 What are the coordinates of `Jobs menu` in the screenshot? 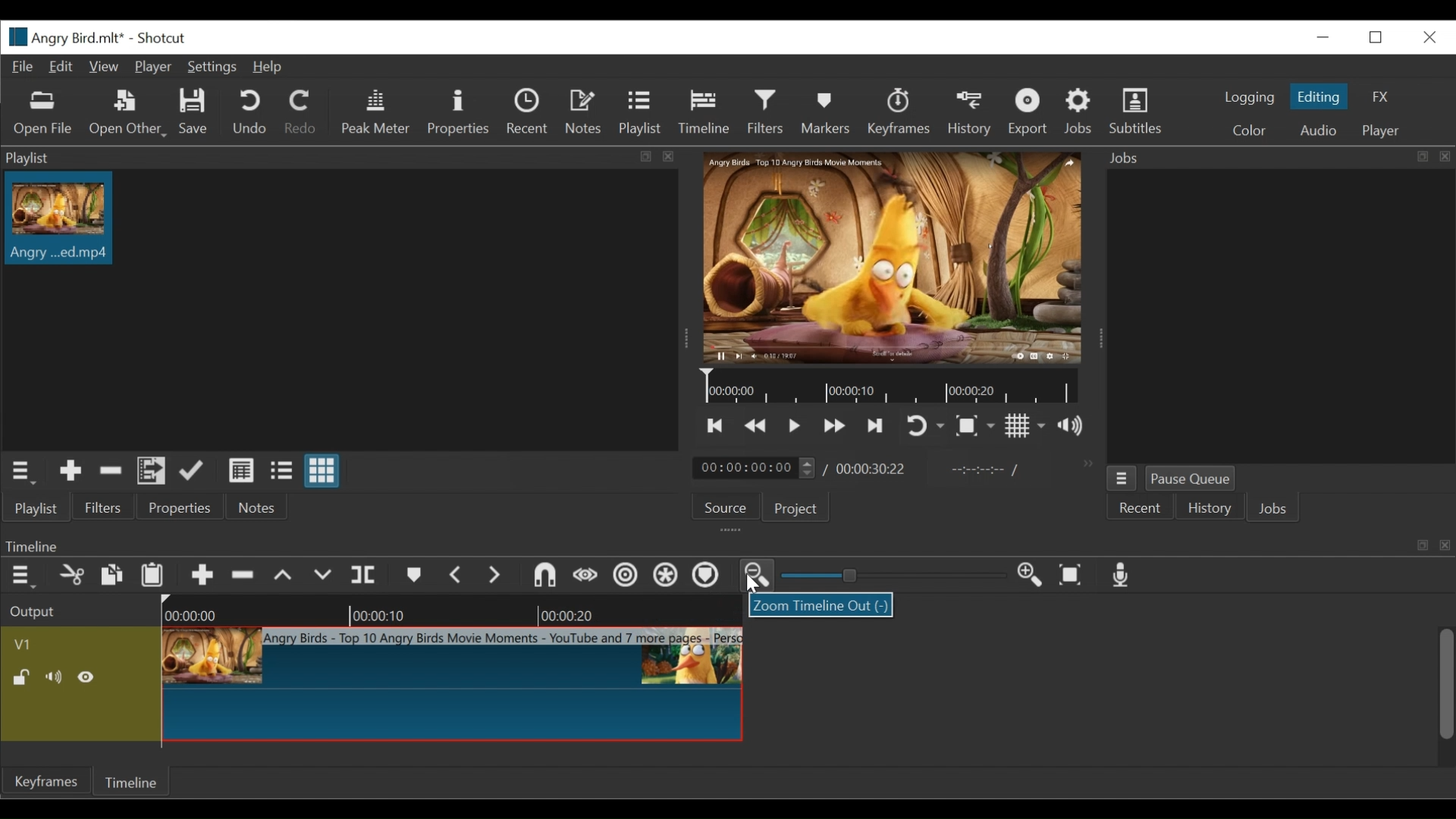 It's located at (1122, 479).